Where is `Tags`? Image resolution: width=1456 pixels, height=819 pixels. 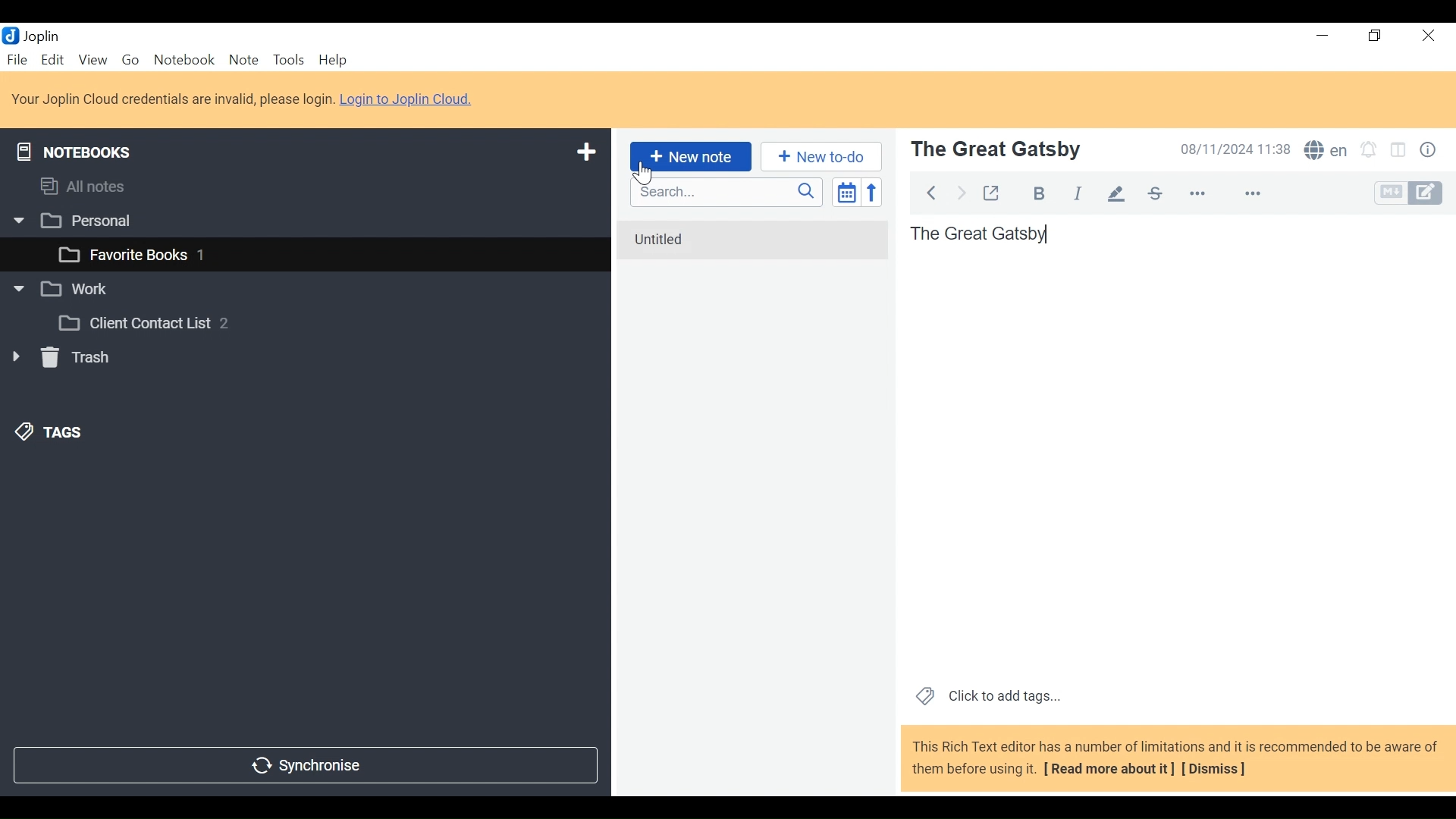 Tags is located at coordinates (52, 431).